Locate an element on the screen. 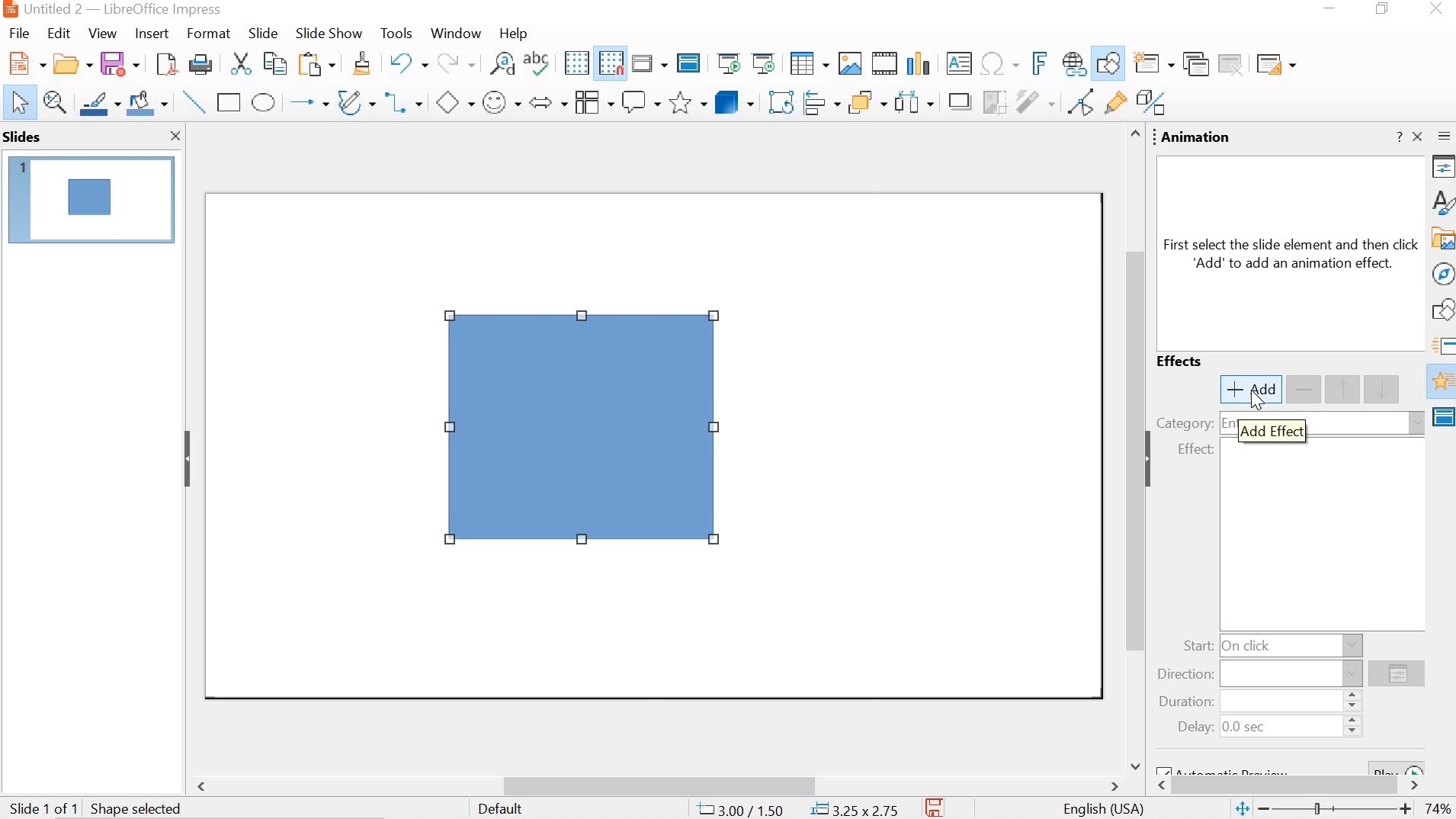  spelling is located at coordinates (537, 63).